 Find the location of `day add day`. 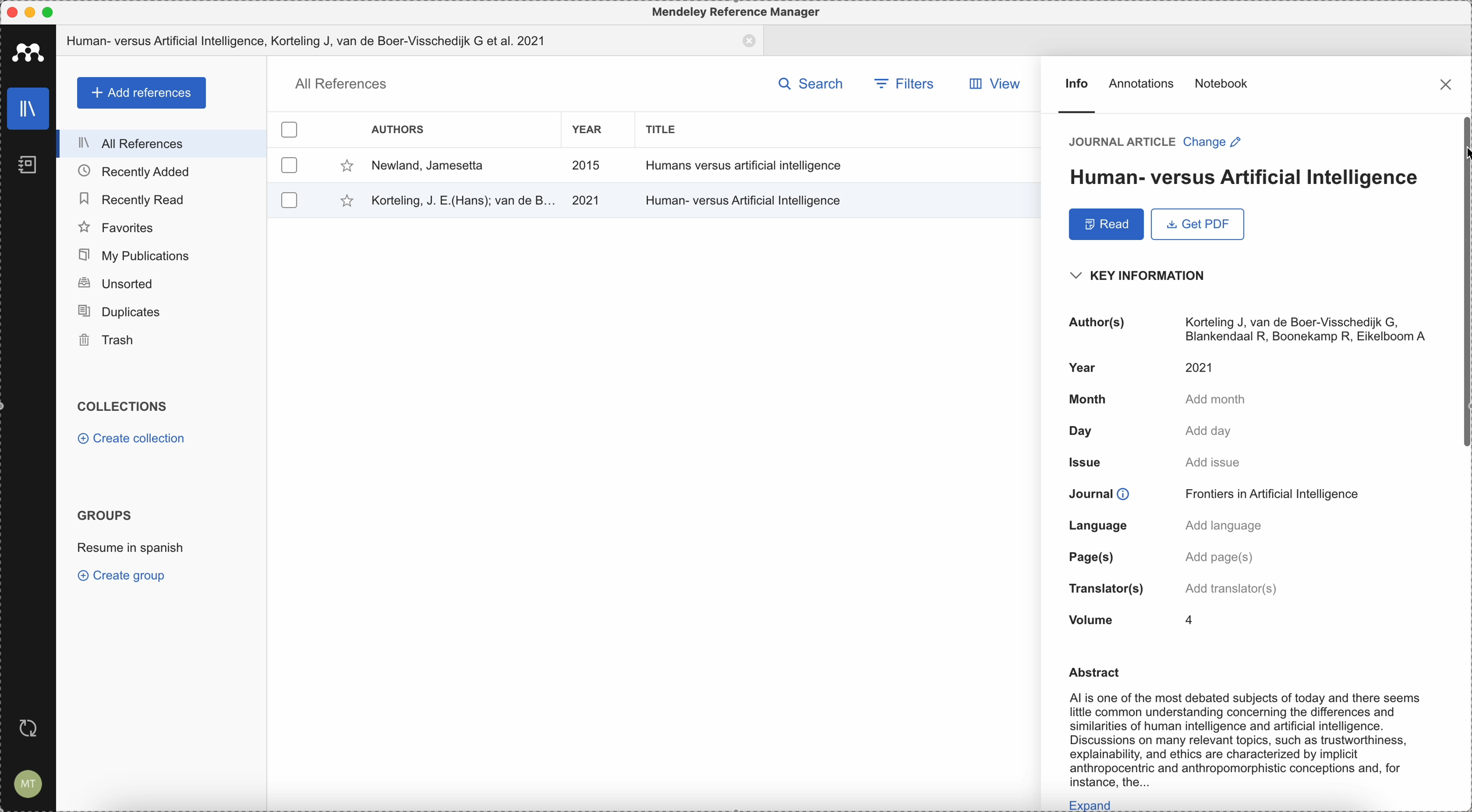

day add day is located at coordinates (1145, 430).